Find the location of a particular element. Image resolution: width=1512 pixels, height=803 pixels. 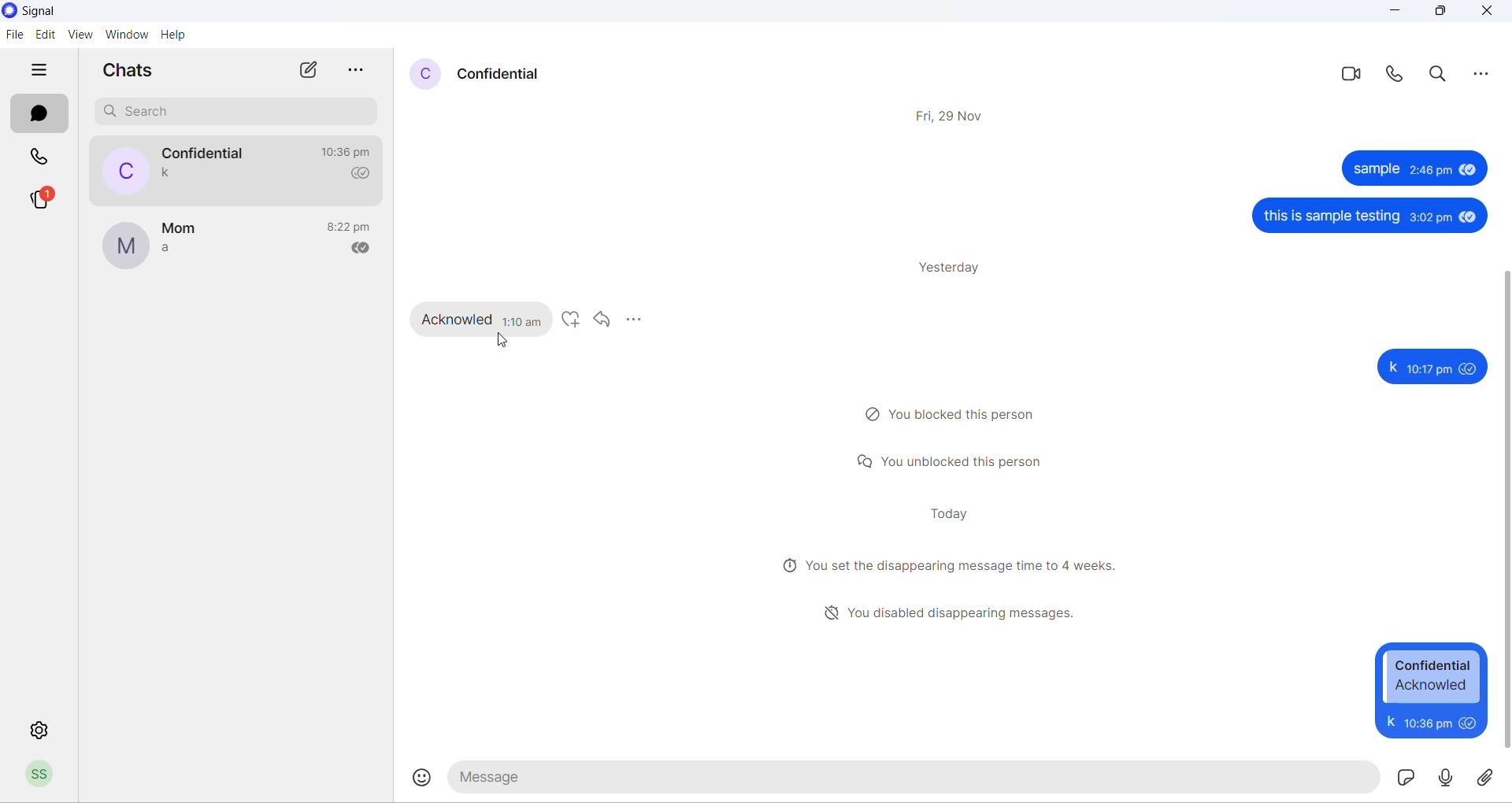

share attachment is located at coordinates (1489, 779).